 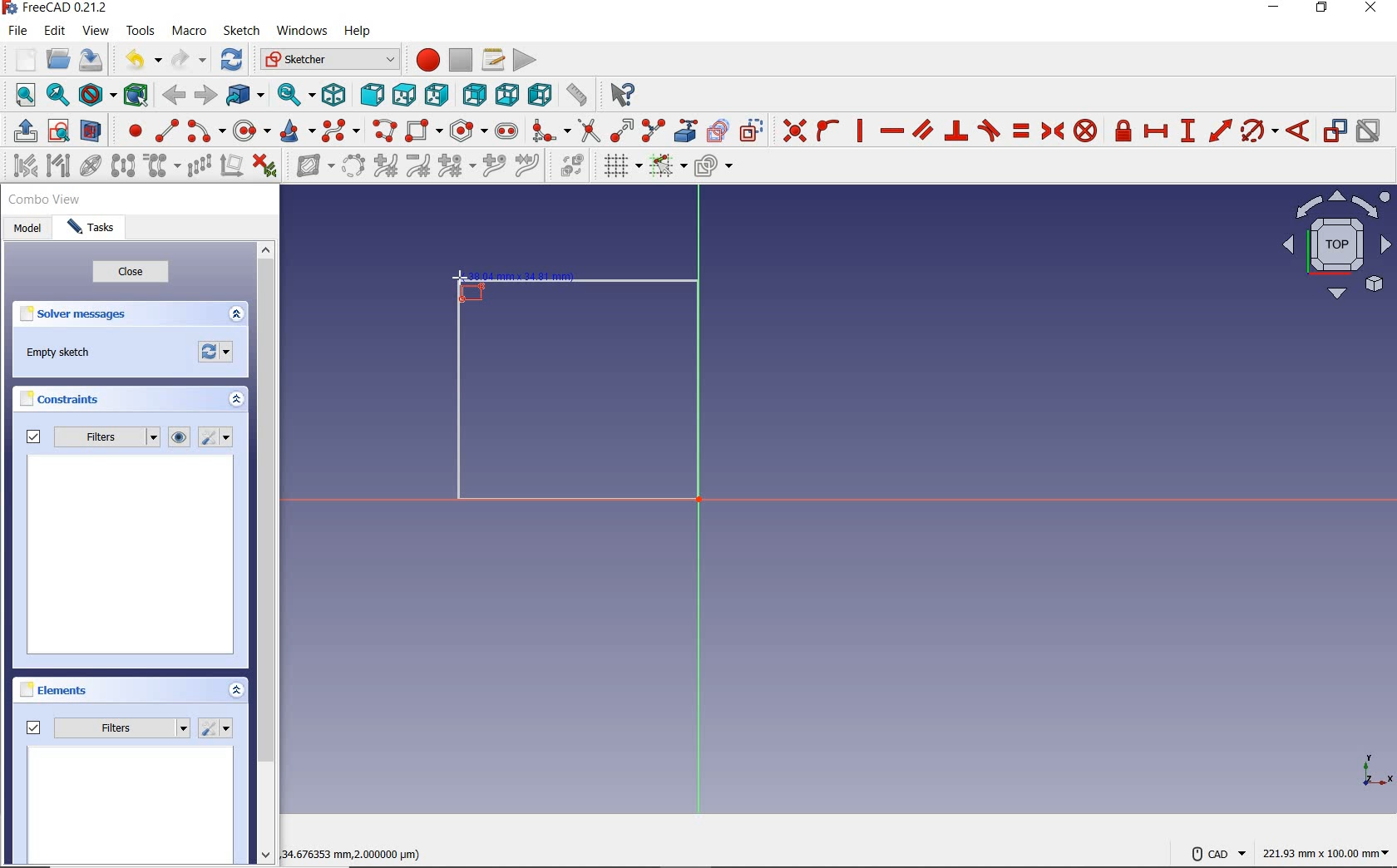 What do you see at coordinates (309, 167) in the screenshot?
I see `show/hide B-Spline information layer` at bounding box center [309, 167].